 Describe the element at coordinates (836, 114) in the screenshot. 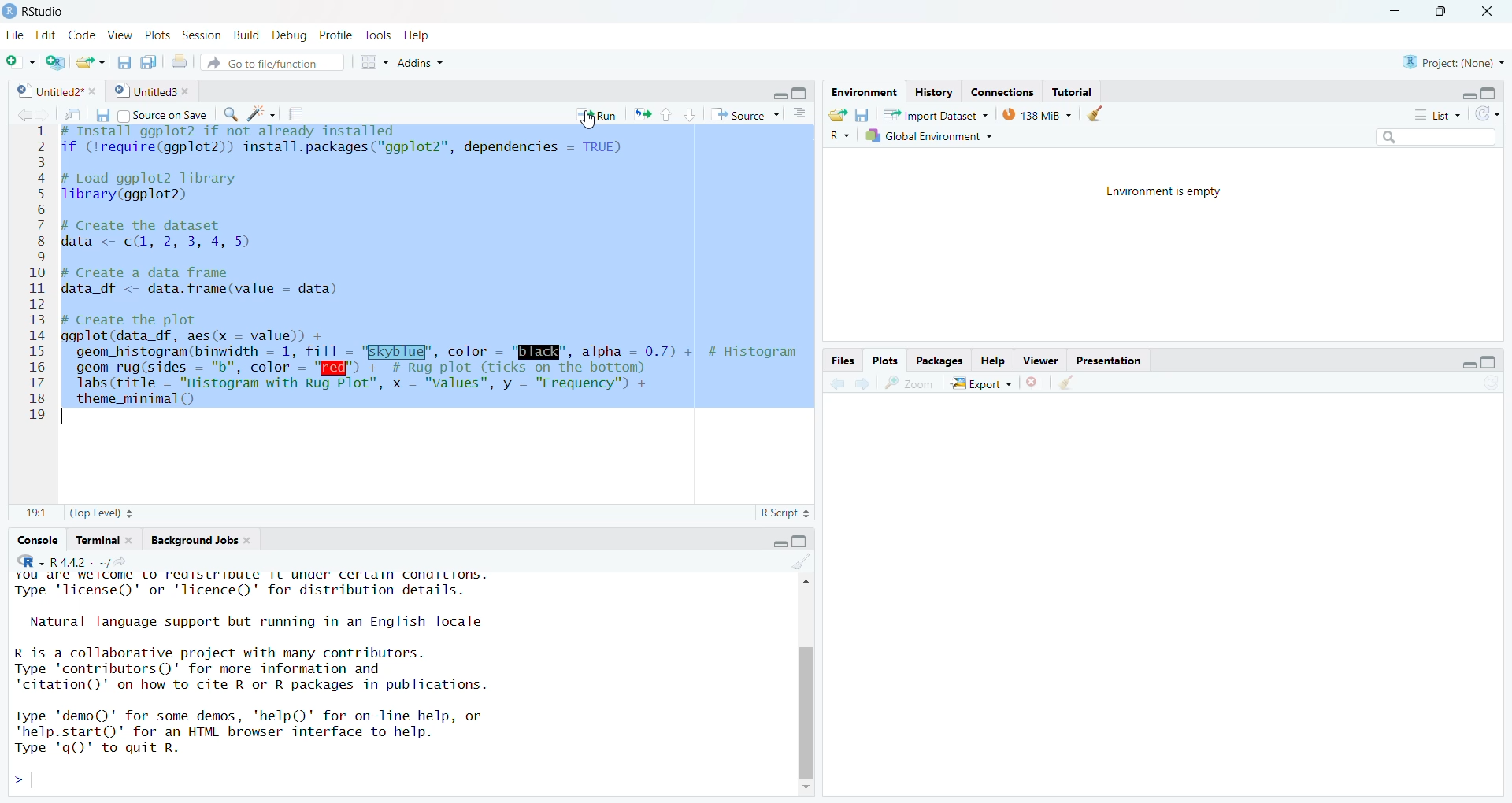

I see `Open` at that location.